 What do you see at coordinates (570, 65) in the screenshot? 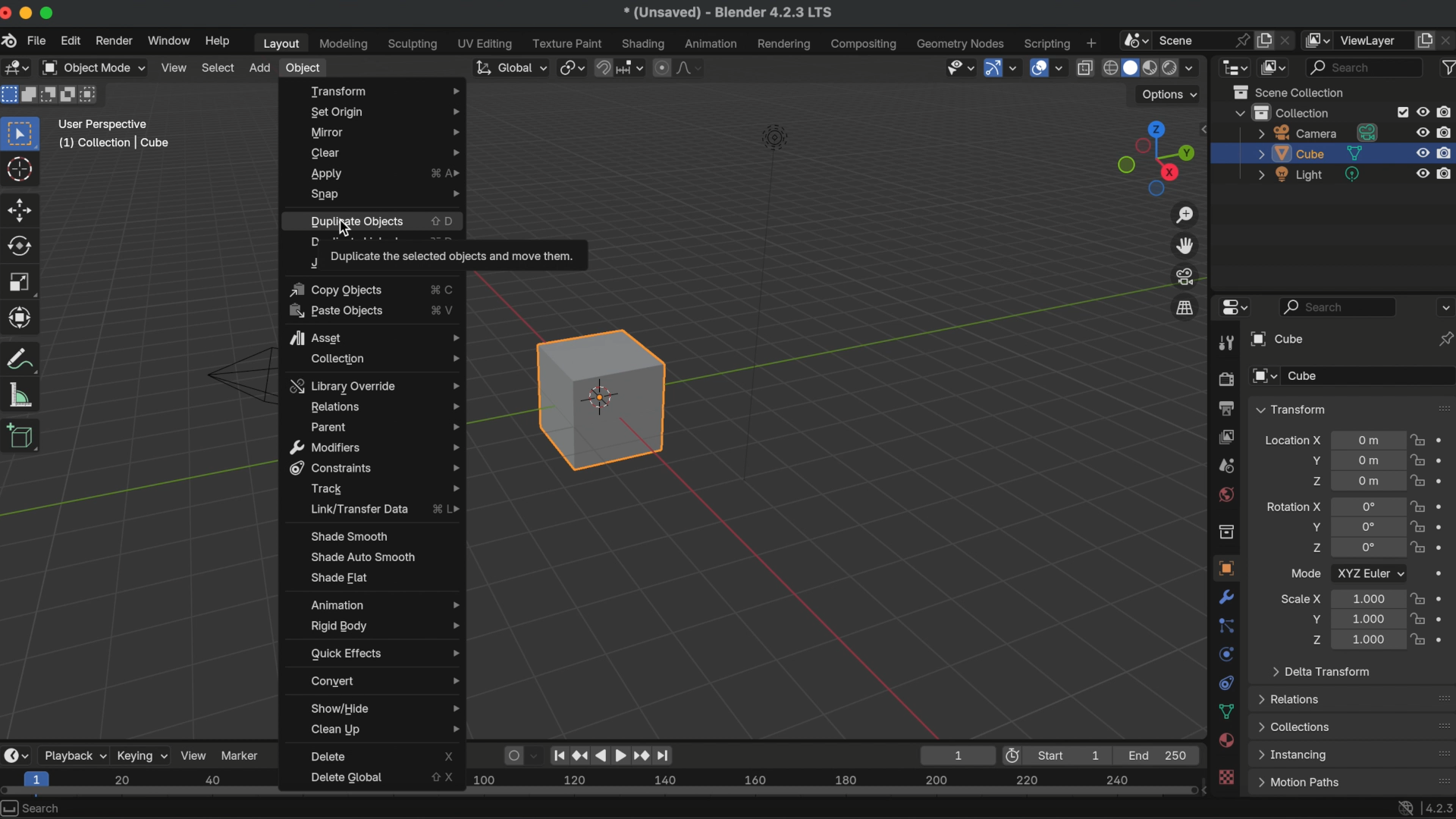
I see `transform pivot point` at bounding box center [570, 65].